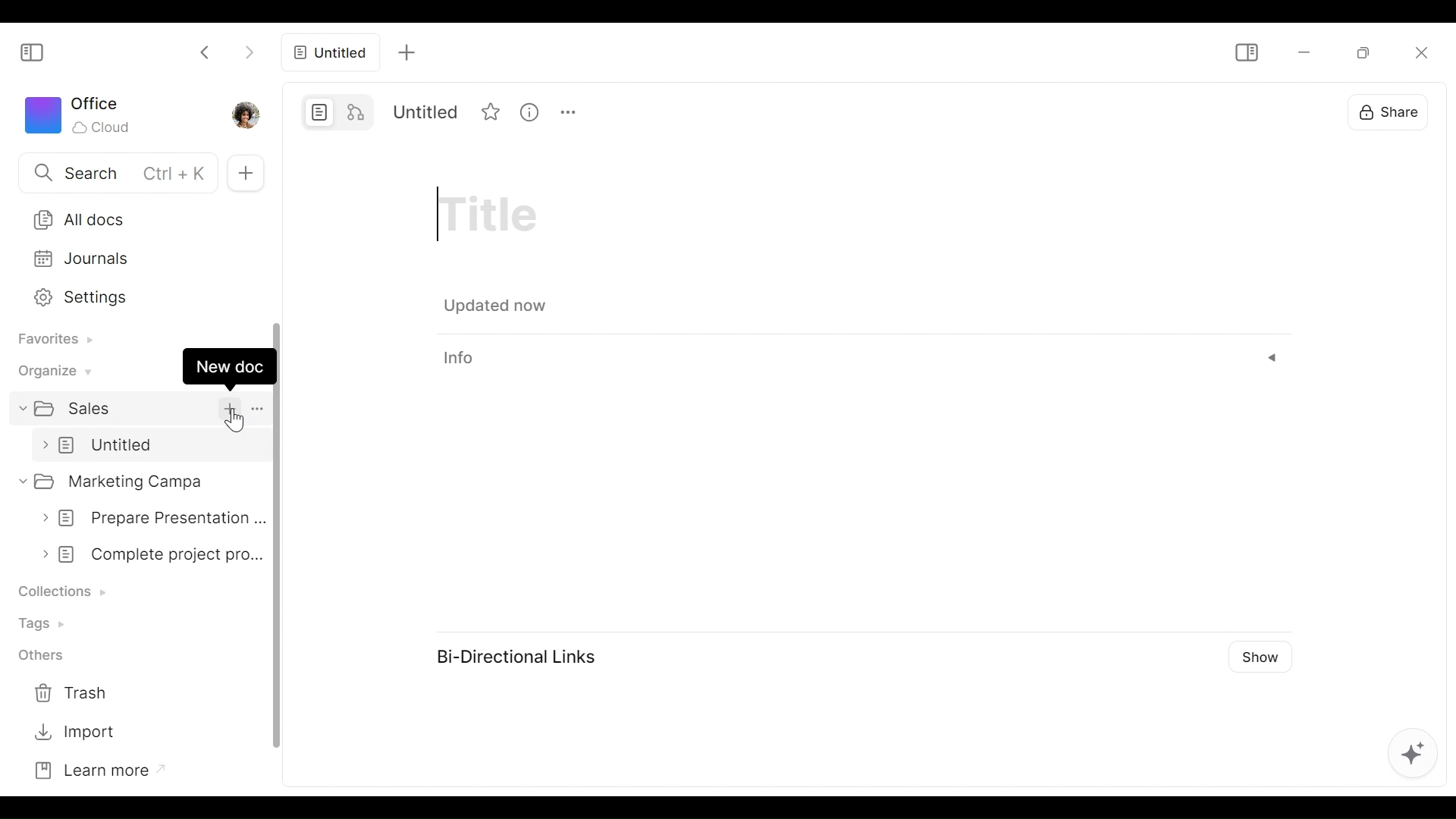 This screenshot has width=1456, height=819. Describe the element at coordinates (1246, 54) in the screenshot. I see `Show/Hide` at that location.